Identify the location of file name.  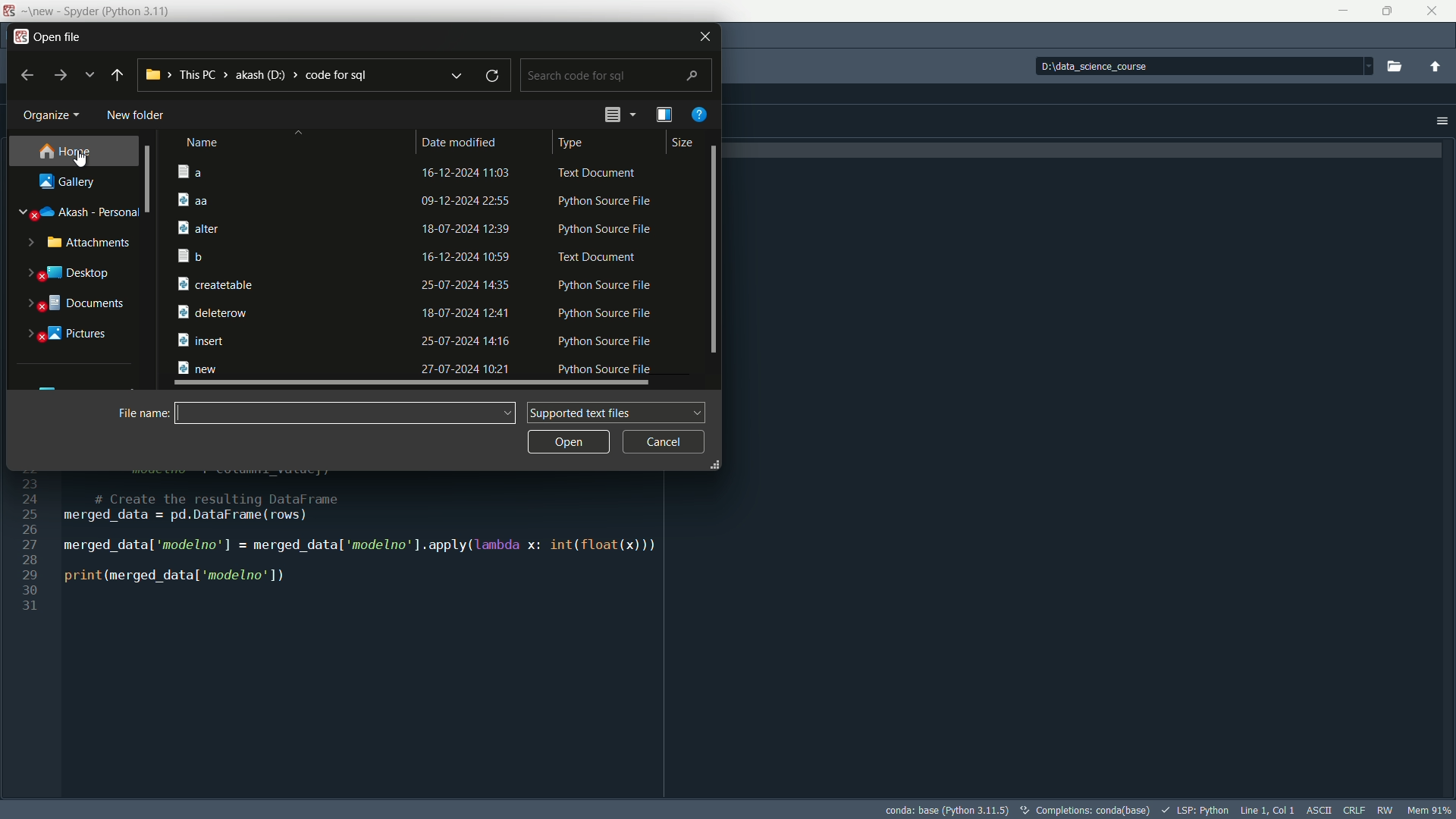
(281, 171).